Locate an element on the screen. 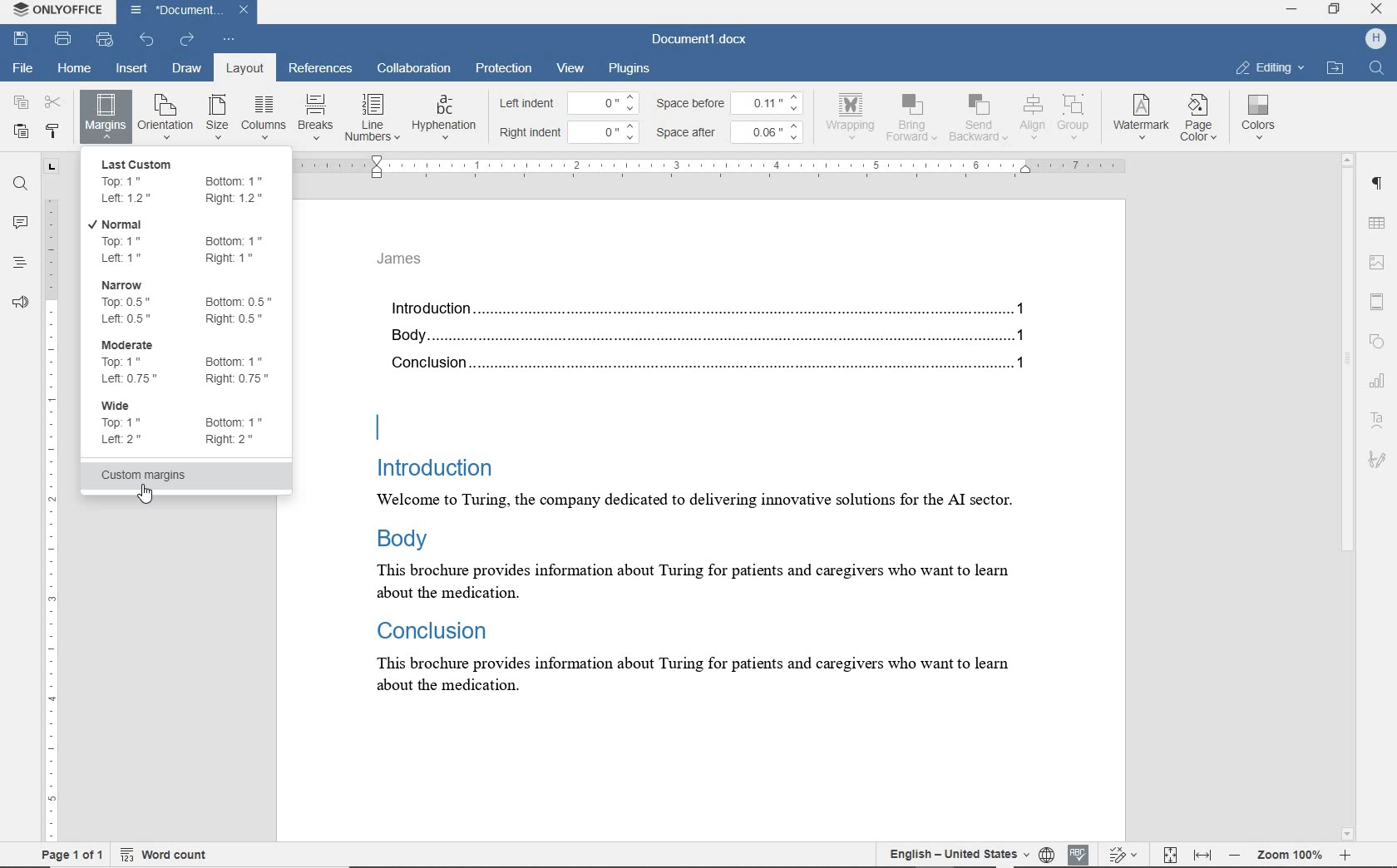 The height and width of the screenshot is (868, 1397). table is located at coordinates (1380, 224).